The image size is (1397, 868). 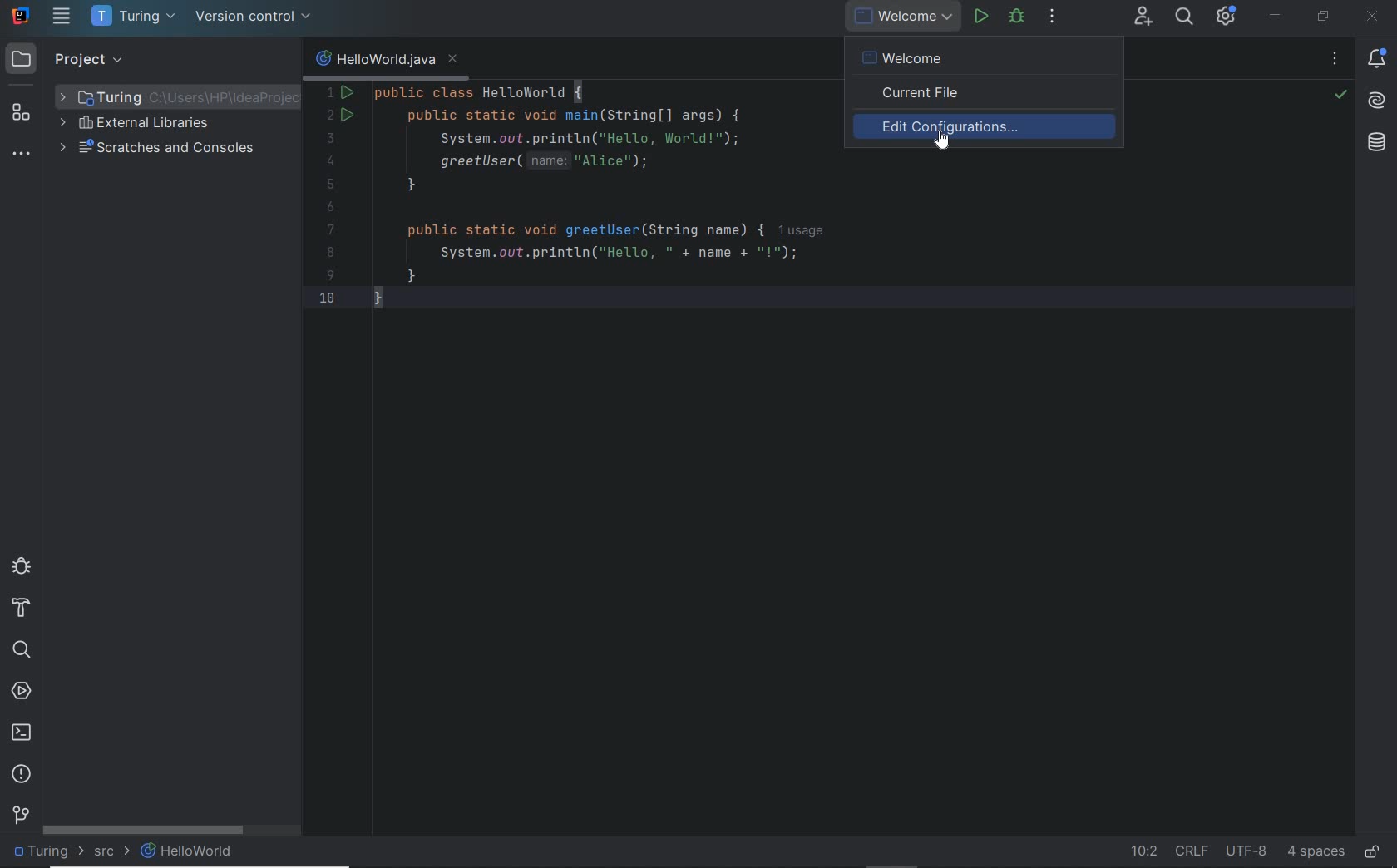 What do you see at coordinates (157, 150) in the screenshot?
I see `scratches and consoles` at bounding box center [157, 150].